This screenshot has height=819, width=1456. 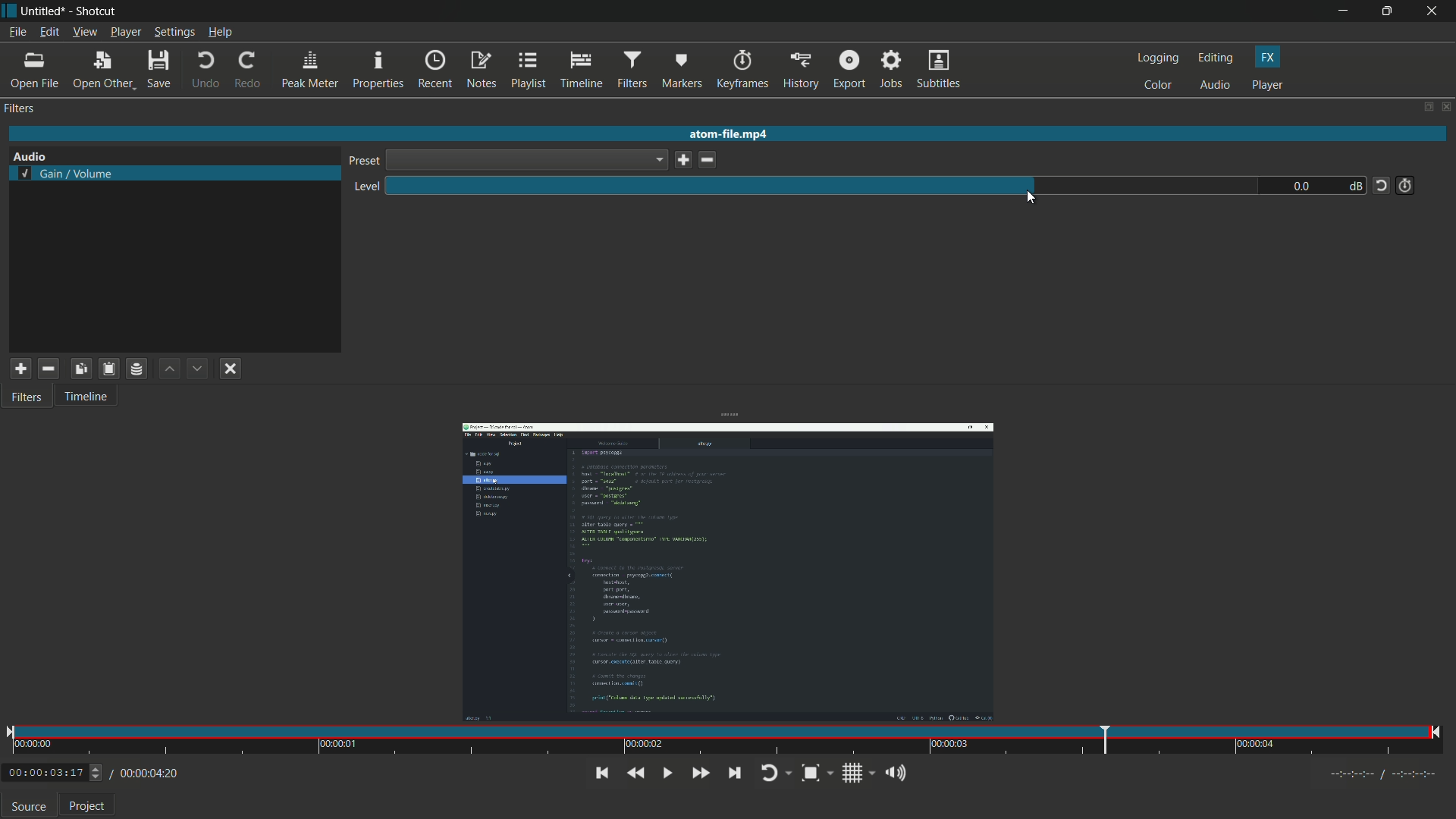 What do you see at coordinates (20, 369) in the screenshot?
I see `add filter` at bounding box center [20, 369].